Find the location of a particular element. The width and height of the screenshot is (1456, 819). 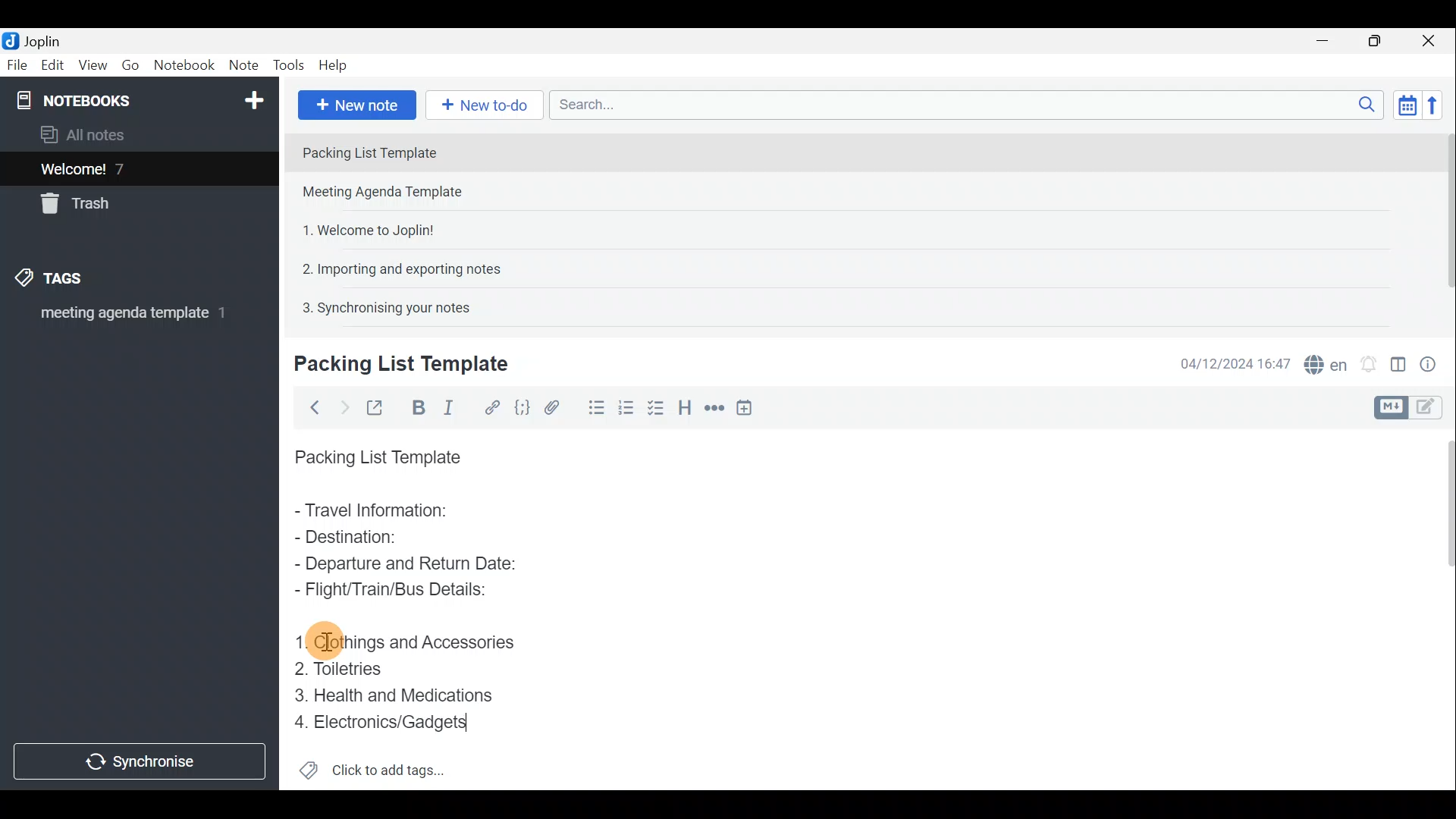

Numbered list is located at coordinates (657, 407).